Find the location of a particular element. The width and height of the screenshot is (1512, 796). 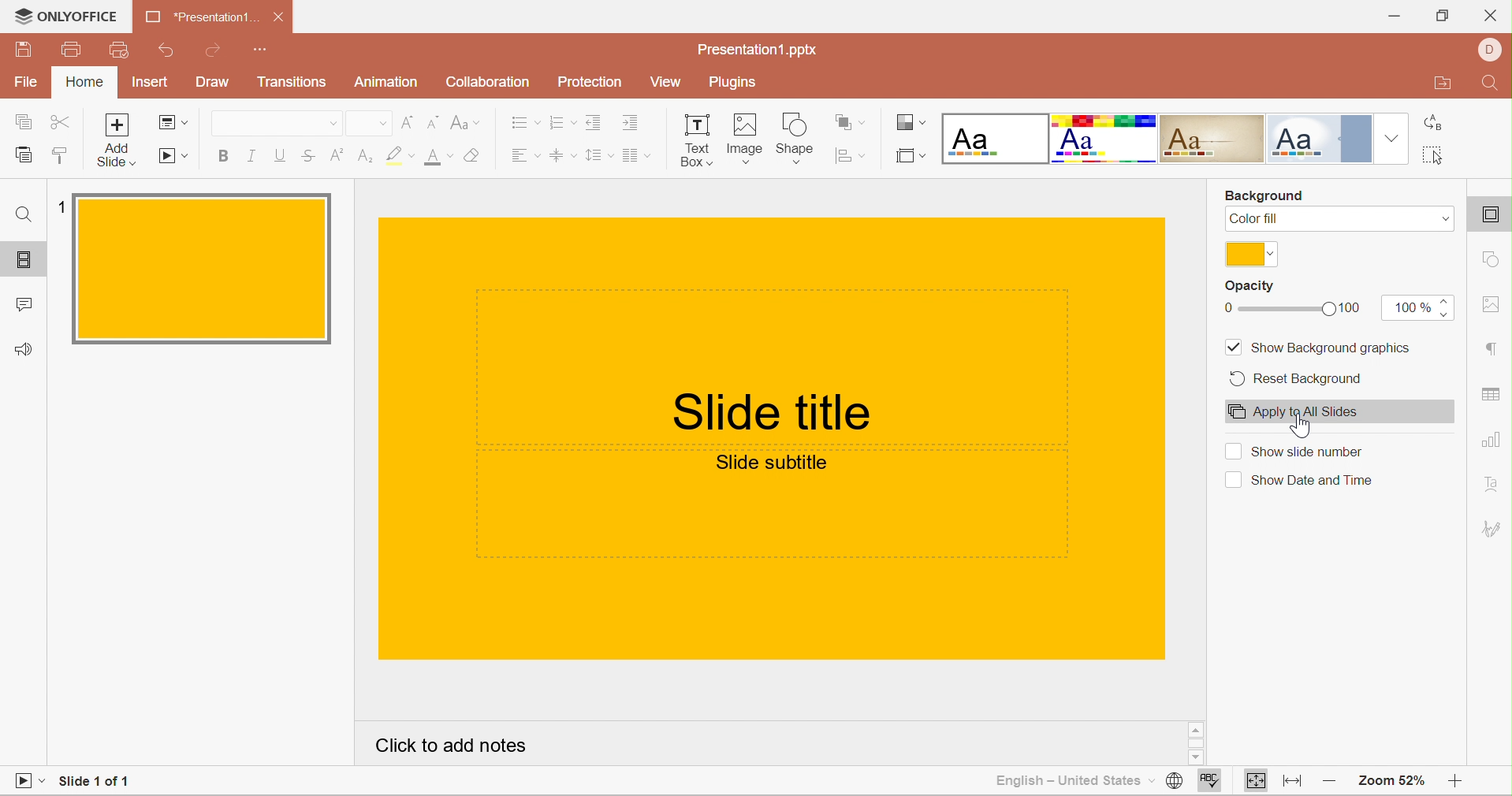

Reset Background is located at coordinates (1295, 378).